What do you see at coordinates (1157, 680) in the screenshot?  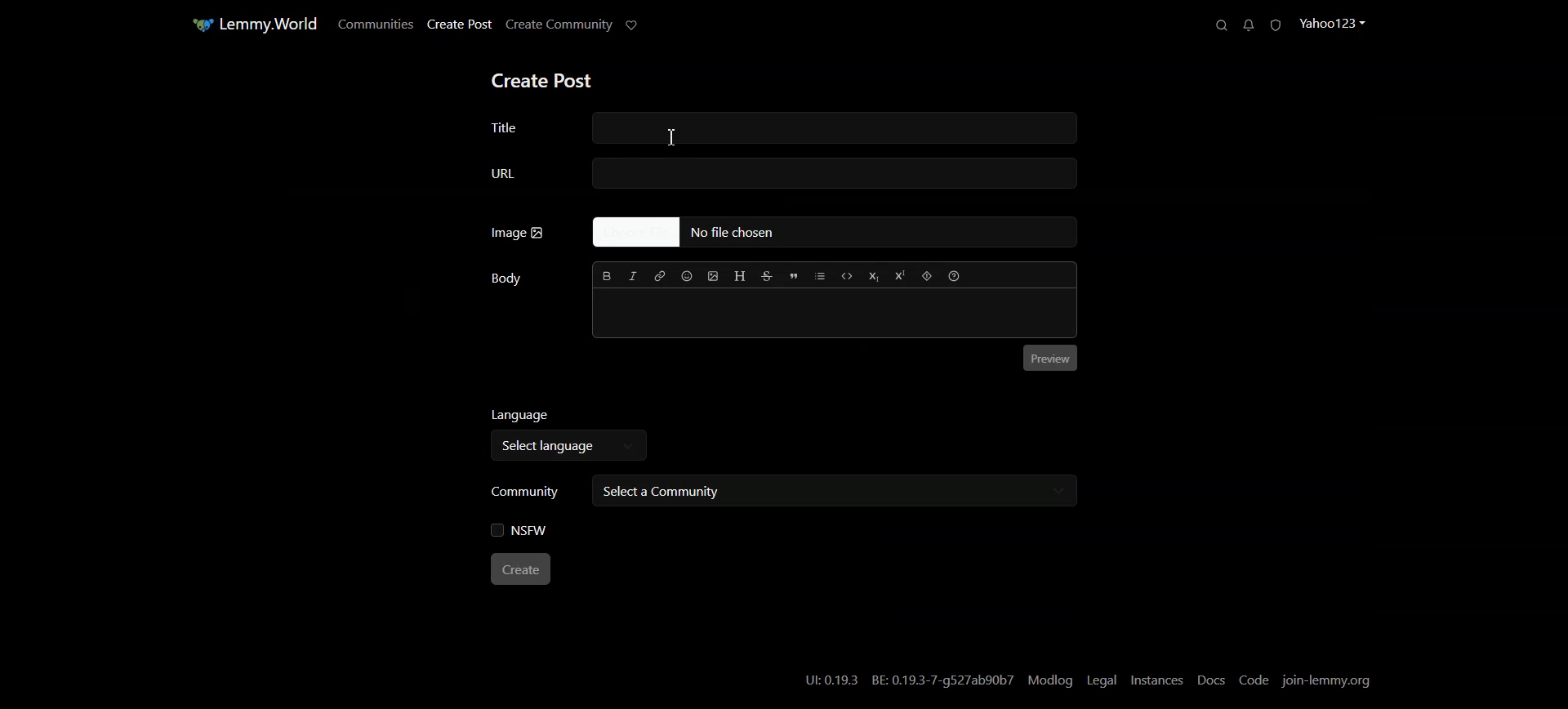 I see `Instances` at bounding box center [1157, 680].